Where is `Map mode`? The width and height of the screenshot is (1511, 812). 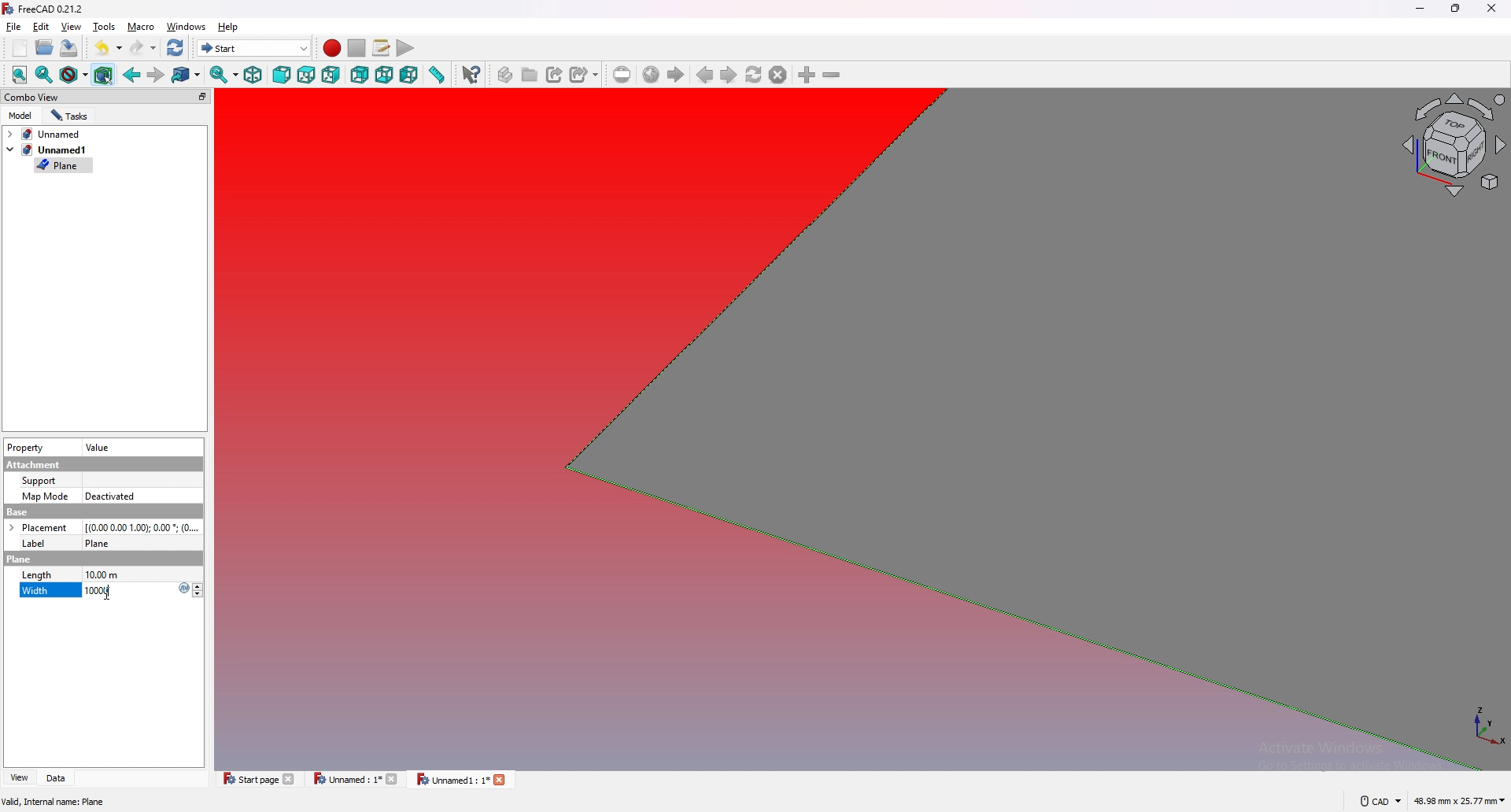
Map mode is located at coordinates (45, 497).